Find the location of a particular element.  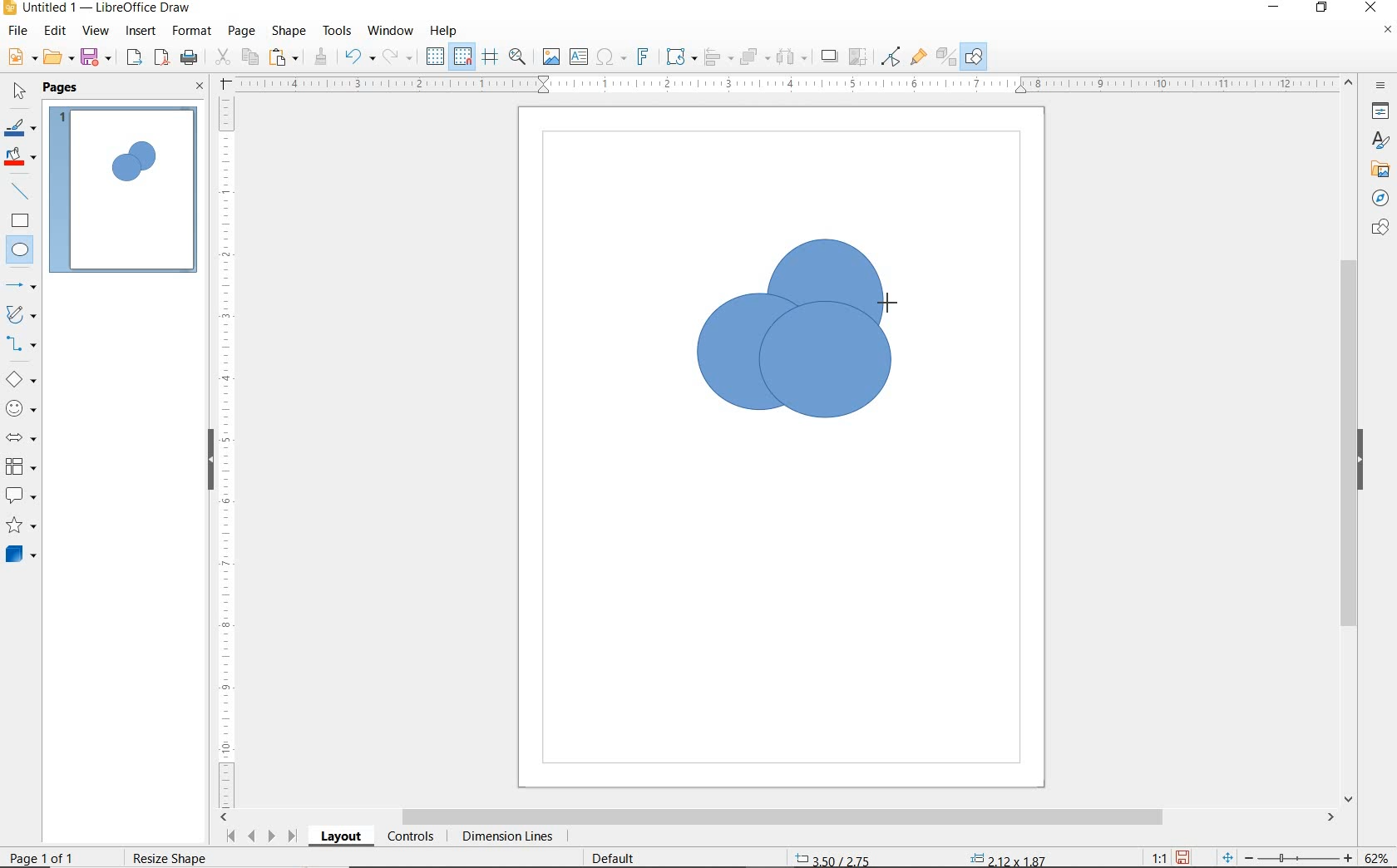

RECTANGLE is located at coordinates (20, 223).